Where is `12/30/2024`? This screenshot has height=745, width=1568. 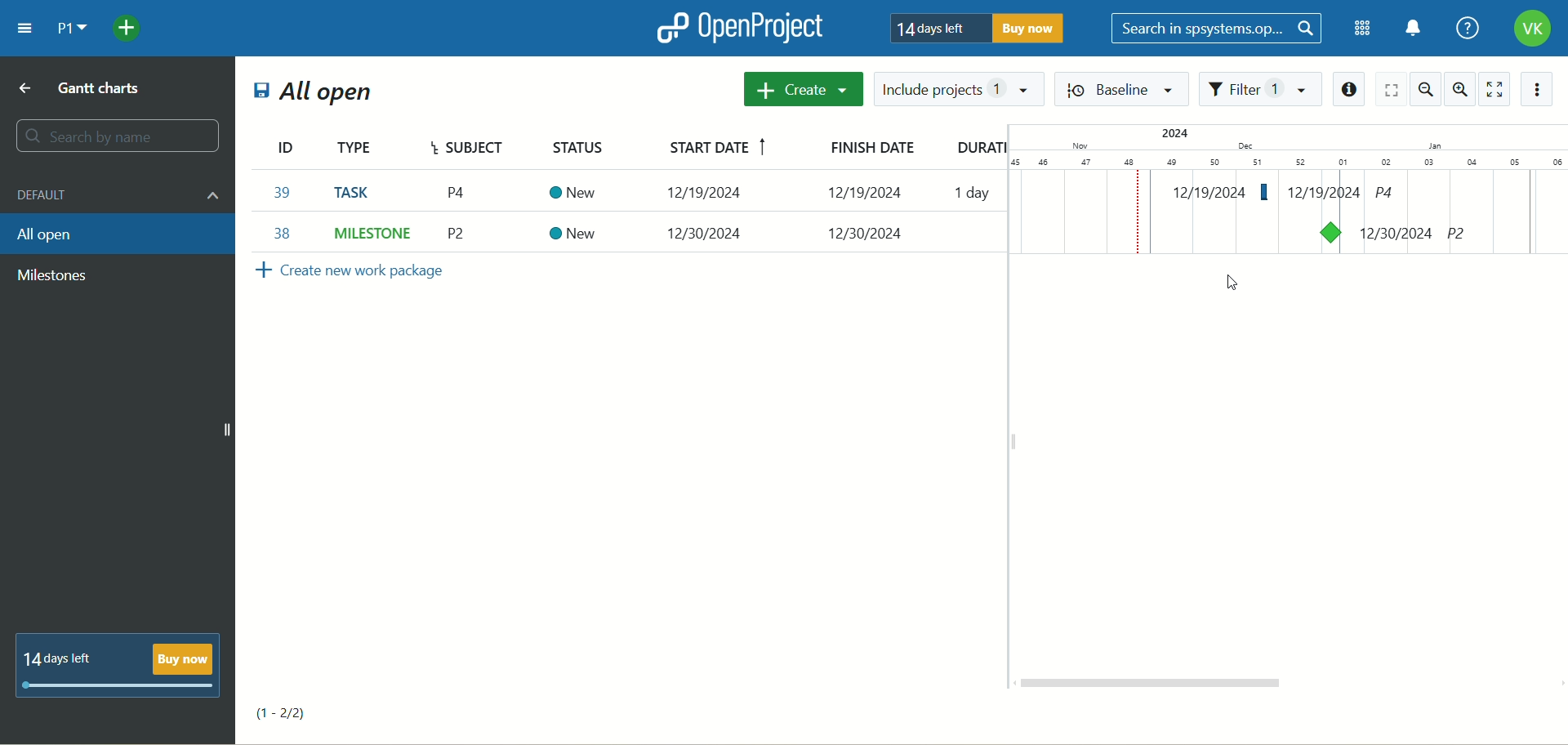 12/30/2024 is located at coordinates (697, 234).